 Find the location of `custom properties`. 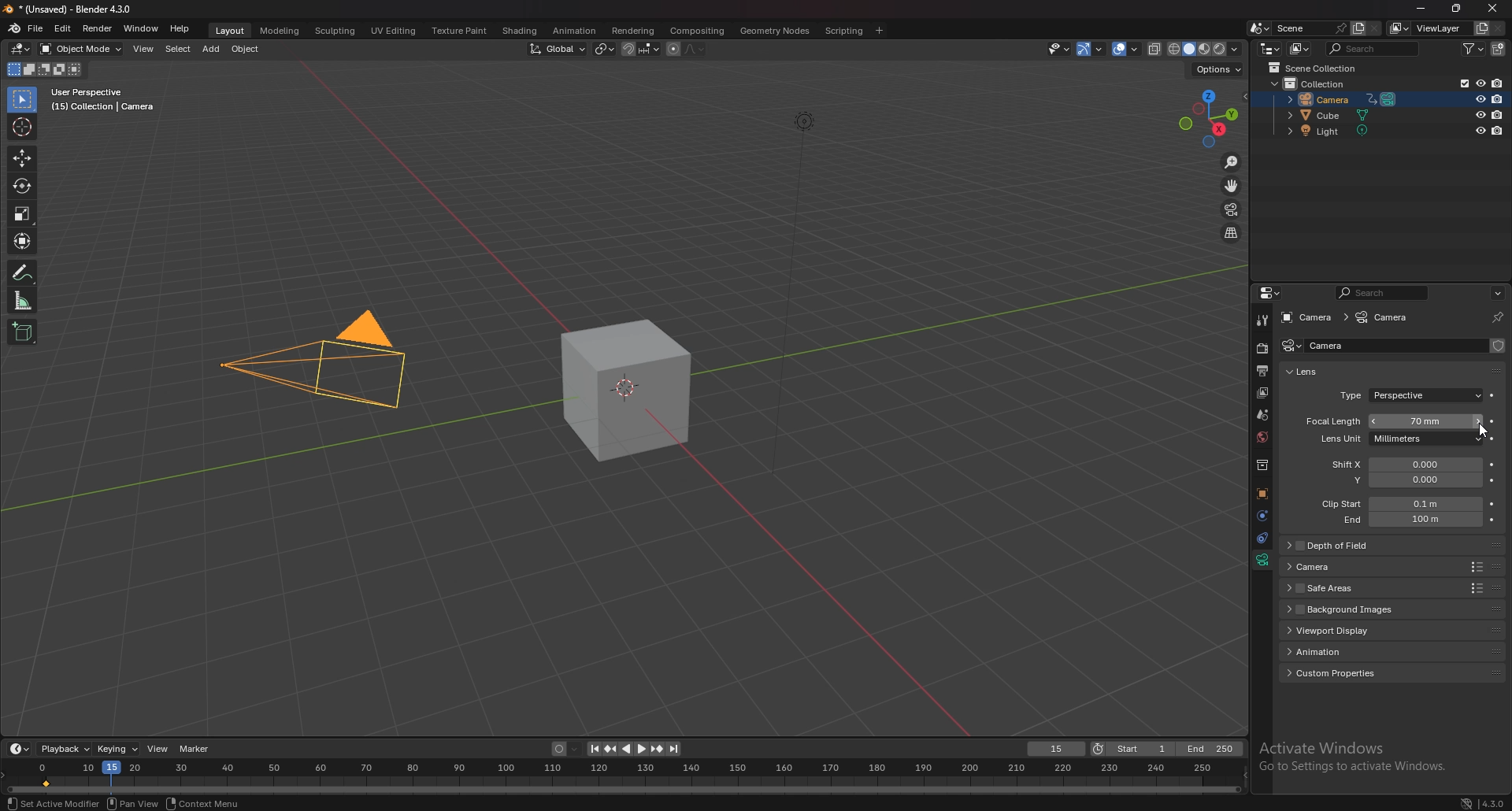

custom properties is located at coordinates (1343, 672).